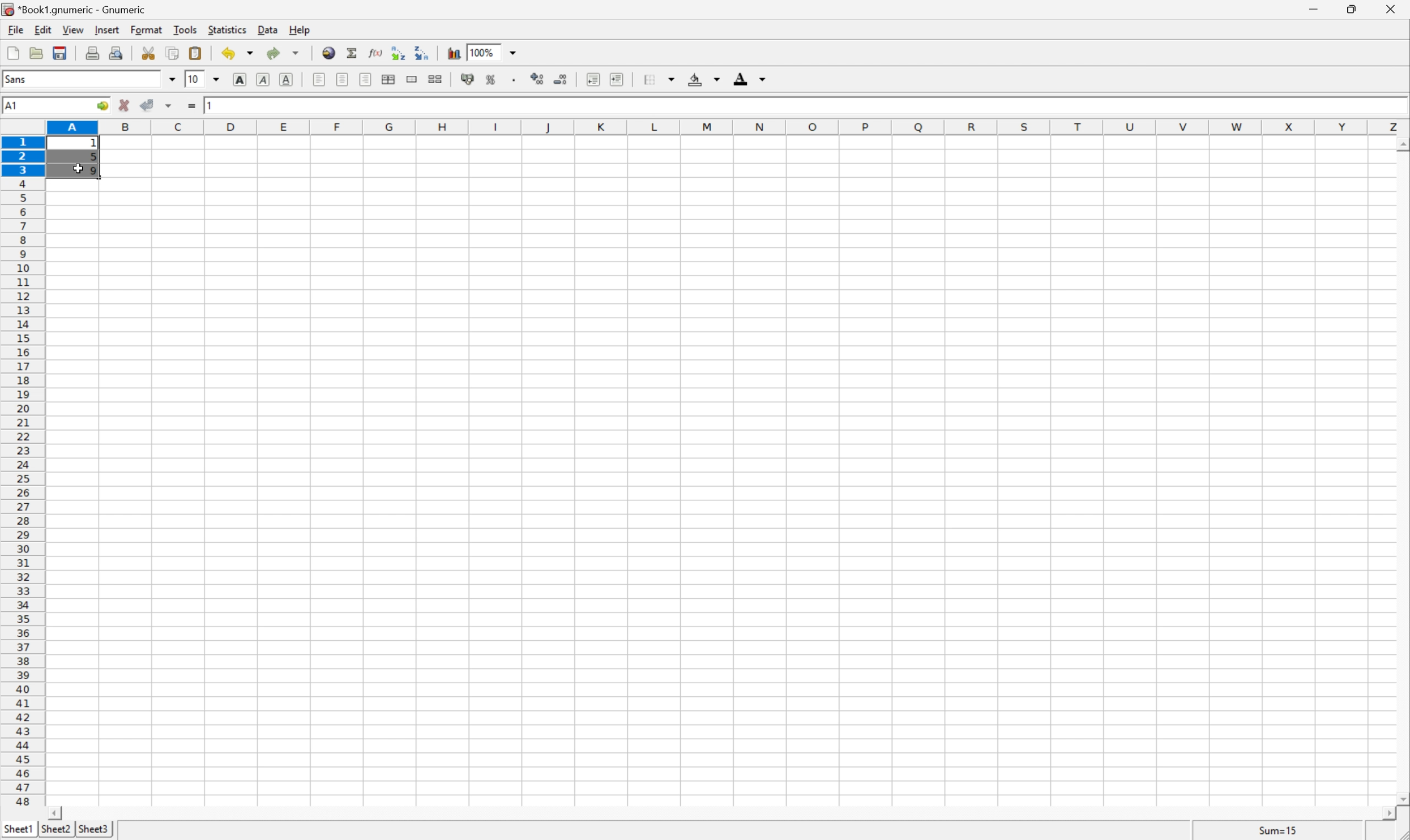 This screenshot has height=840, width=1410. Describe the element at coordinates (730, 128) in the screenshot. I see `column names` at that location.